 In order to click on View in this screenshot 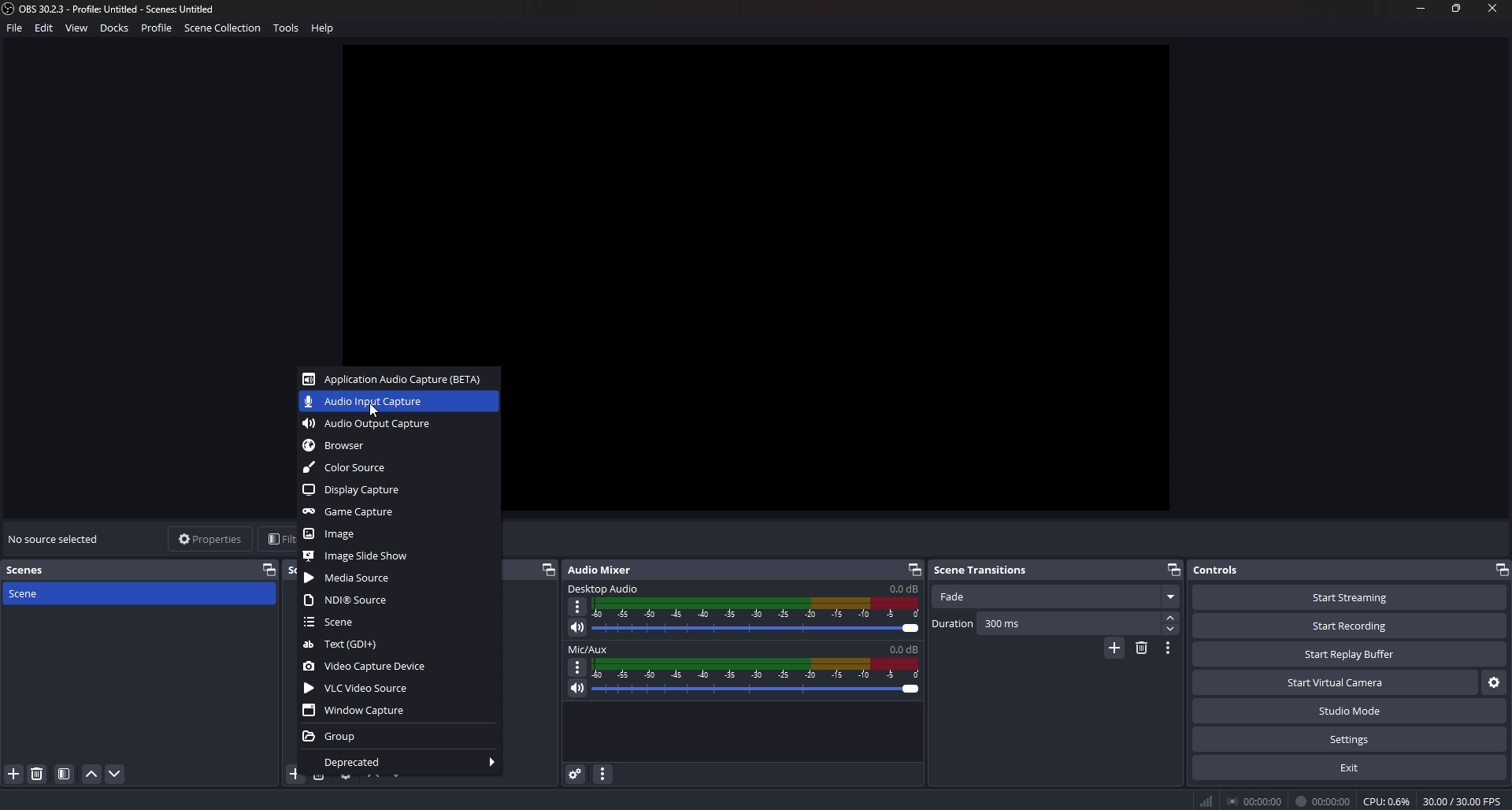, I will do `click(78, 28)`.